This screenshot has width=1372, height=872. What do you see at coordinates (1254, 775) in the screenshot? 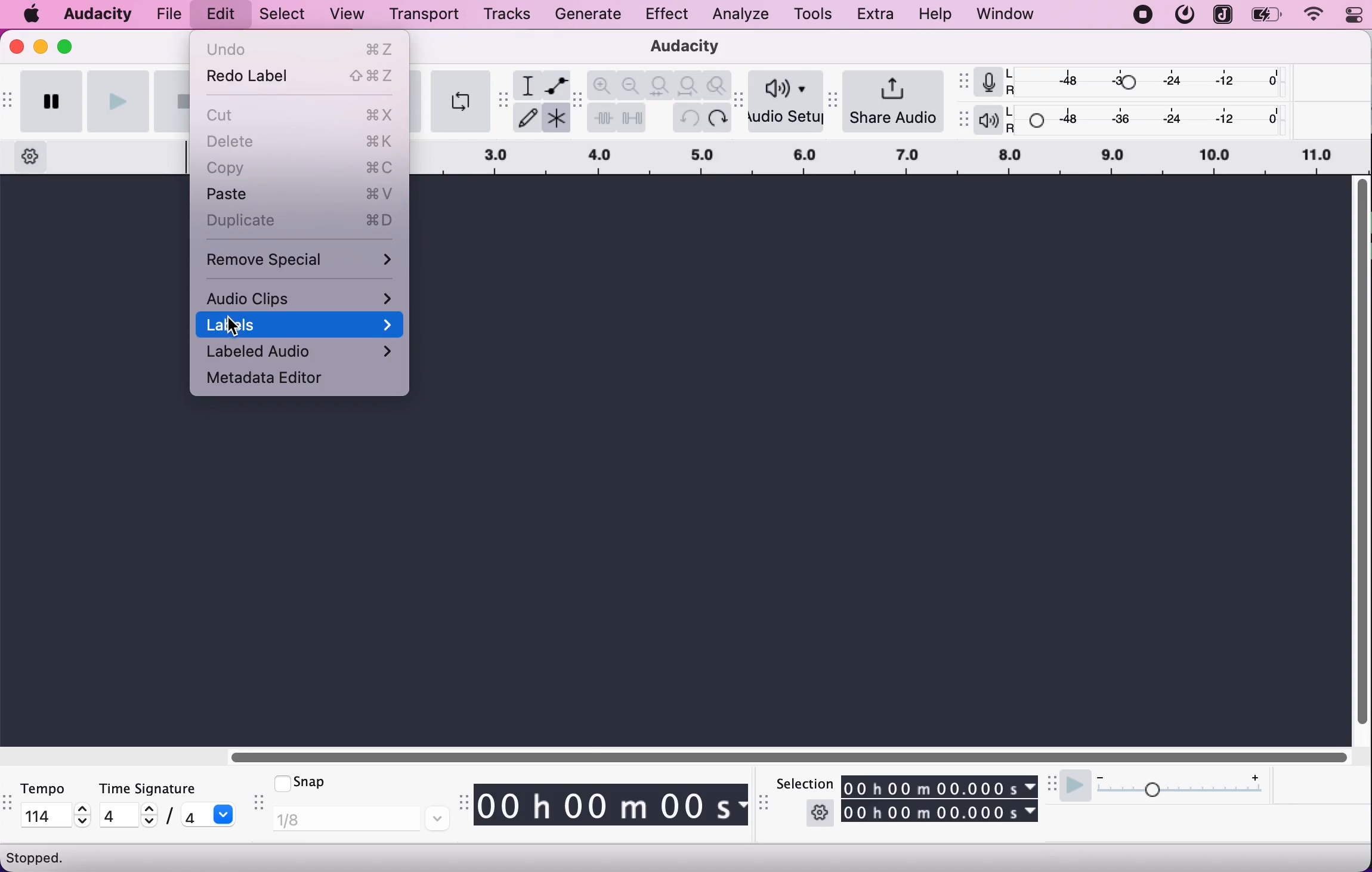
I see `increase` at bounding box center [1254, 775].